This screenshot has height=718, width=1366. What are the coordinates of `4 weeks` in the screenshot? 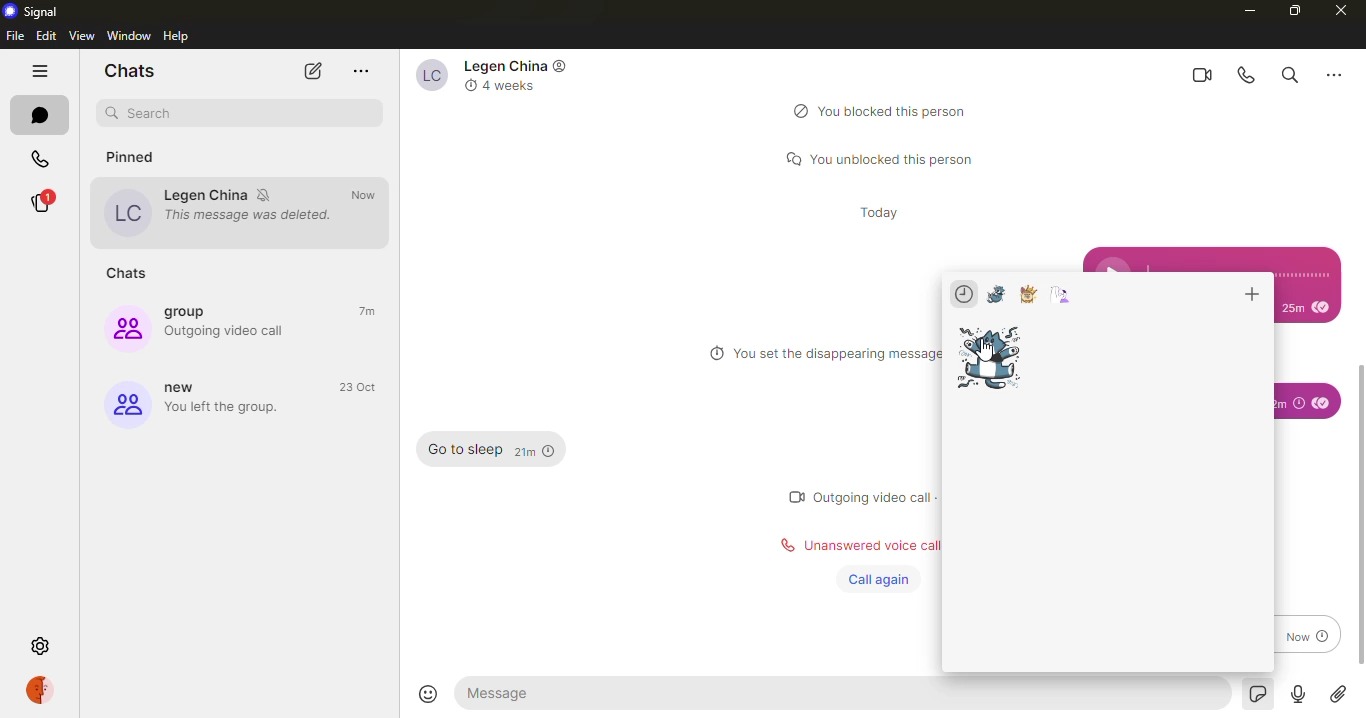 It's located at (510, 87).